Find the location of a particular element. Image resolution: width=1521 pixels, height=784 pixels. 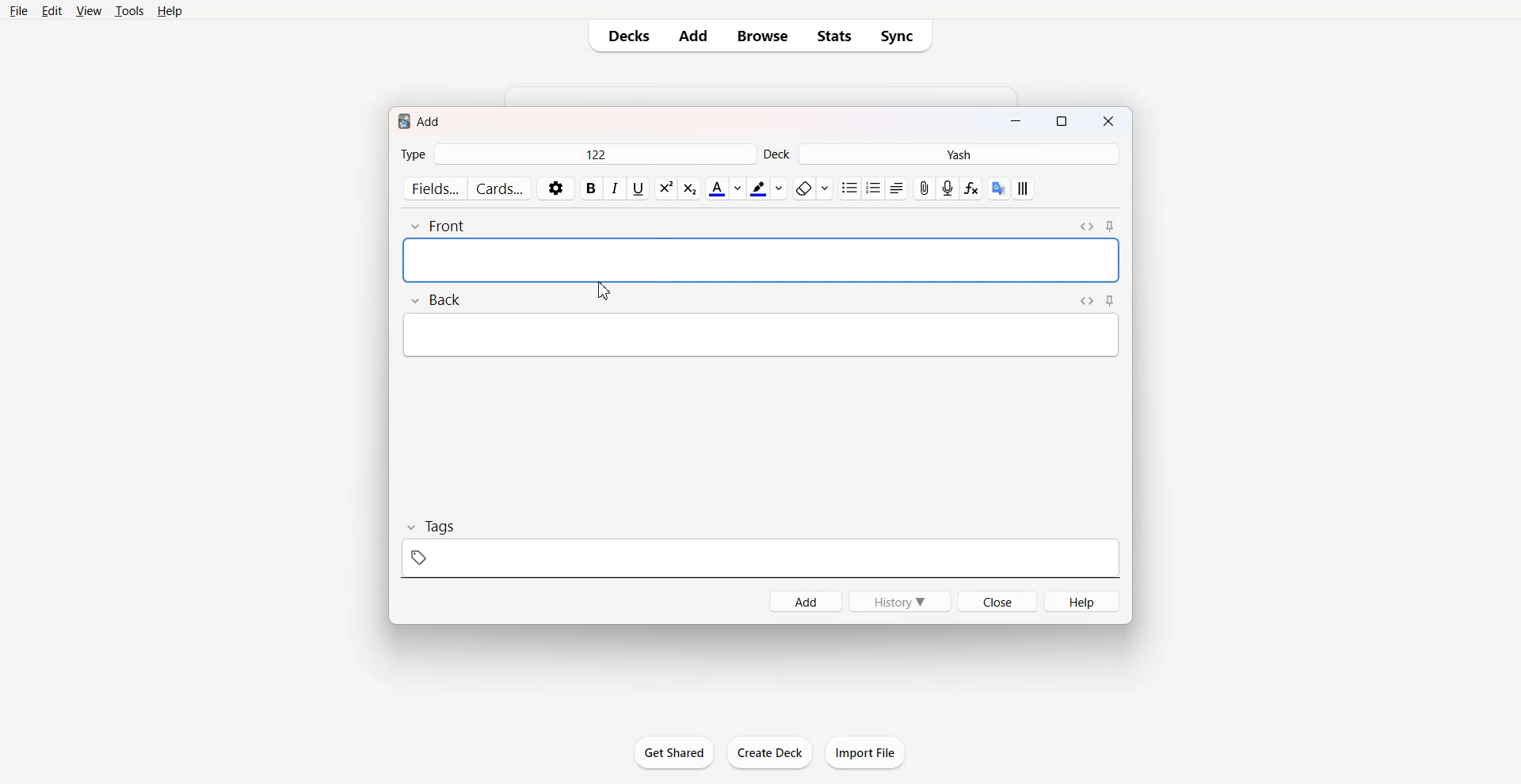

Close is located at coordinates (997, 601).